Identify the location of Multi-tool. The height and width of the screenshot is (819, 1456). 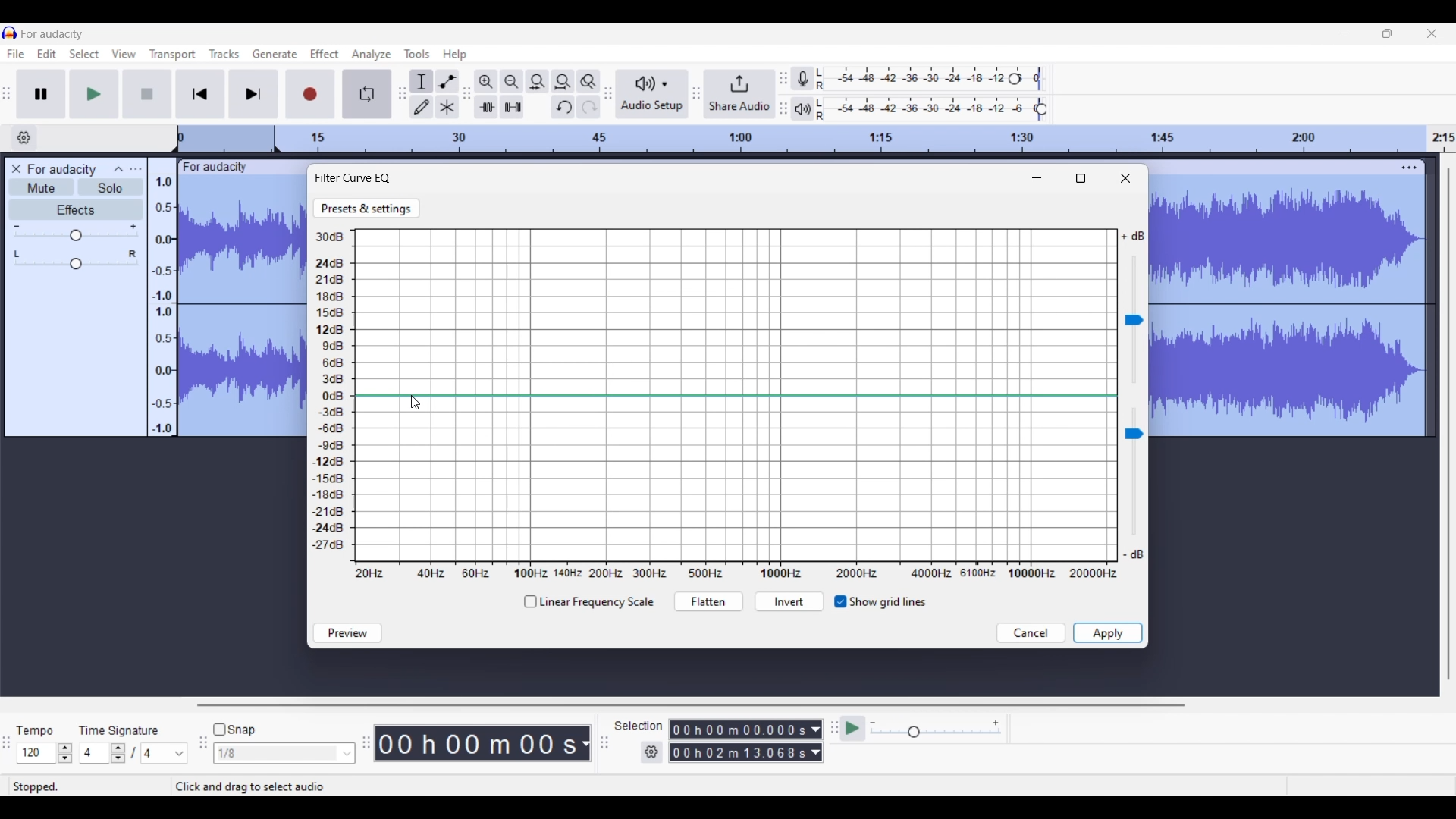
(447, 106).